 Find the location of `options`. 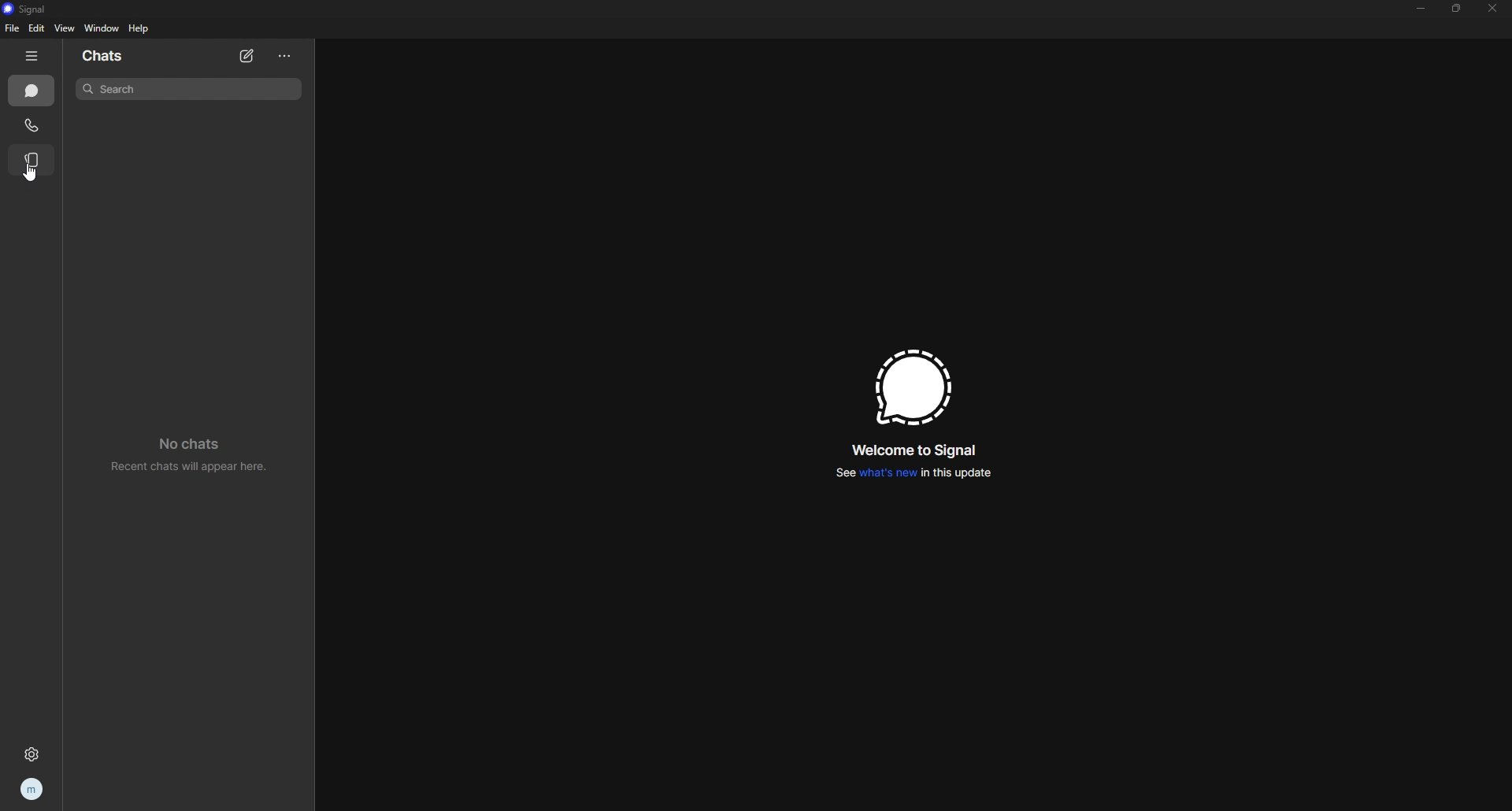

options is located at coordinates (287, 56).